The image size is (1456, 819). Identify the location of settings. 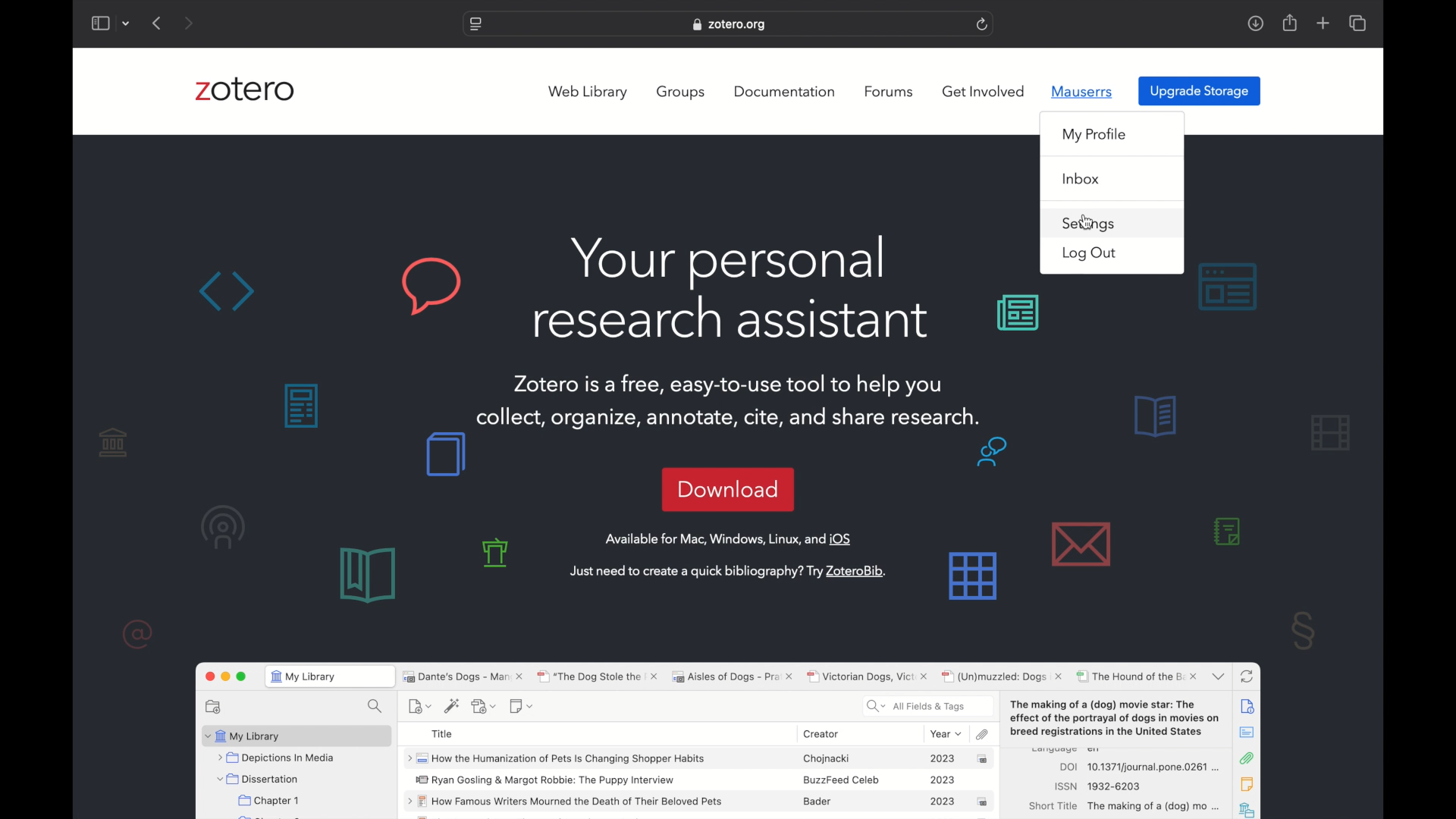
(1090, 224).